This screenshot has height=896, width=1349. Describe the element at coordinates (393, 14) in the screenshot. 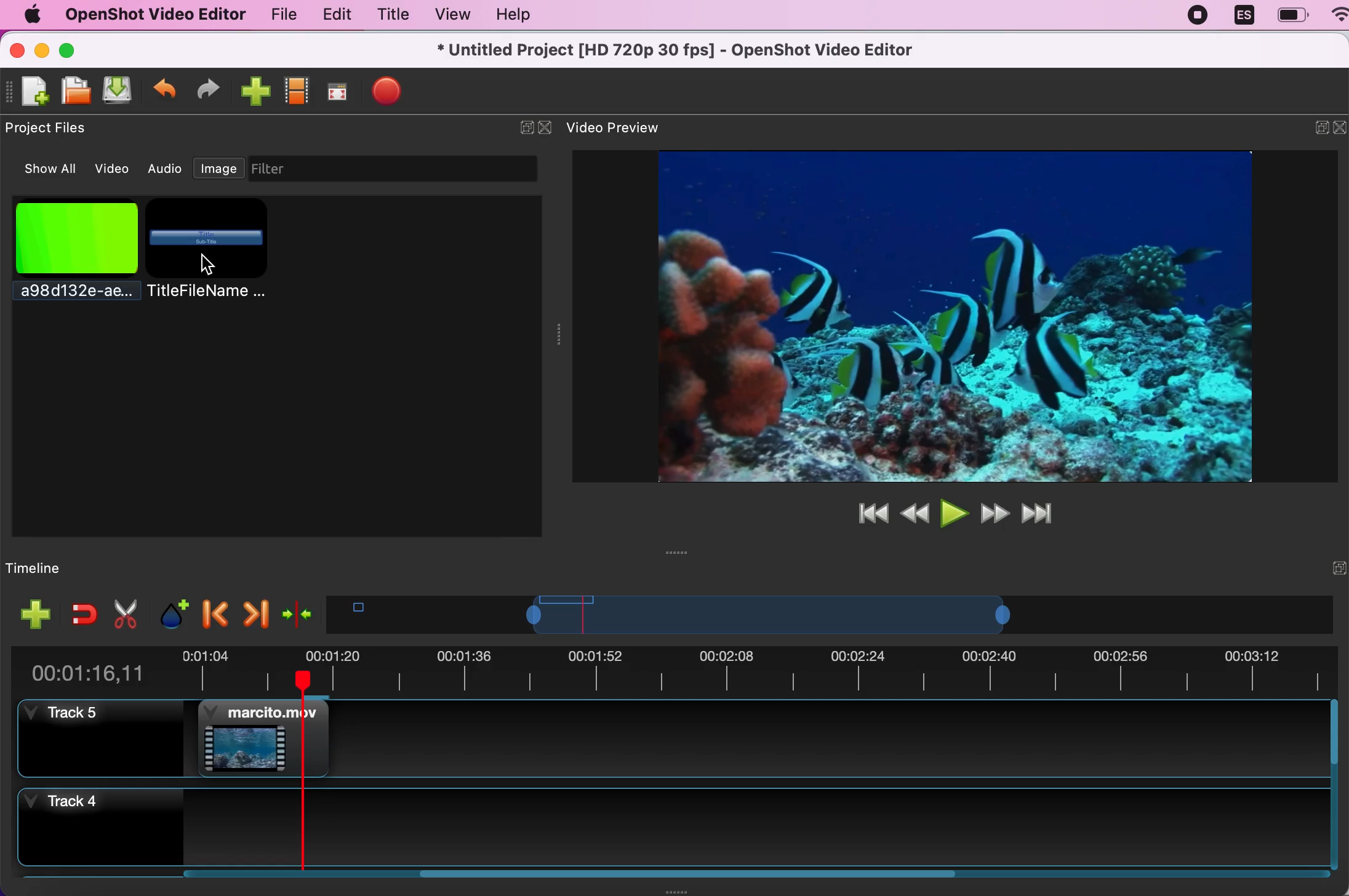

I see `title` at that location.